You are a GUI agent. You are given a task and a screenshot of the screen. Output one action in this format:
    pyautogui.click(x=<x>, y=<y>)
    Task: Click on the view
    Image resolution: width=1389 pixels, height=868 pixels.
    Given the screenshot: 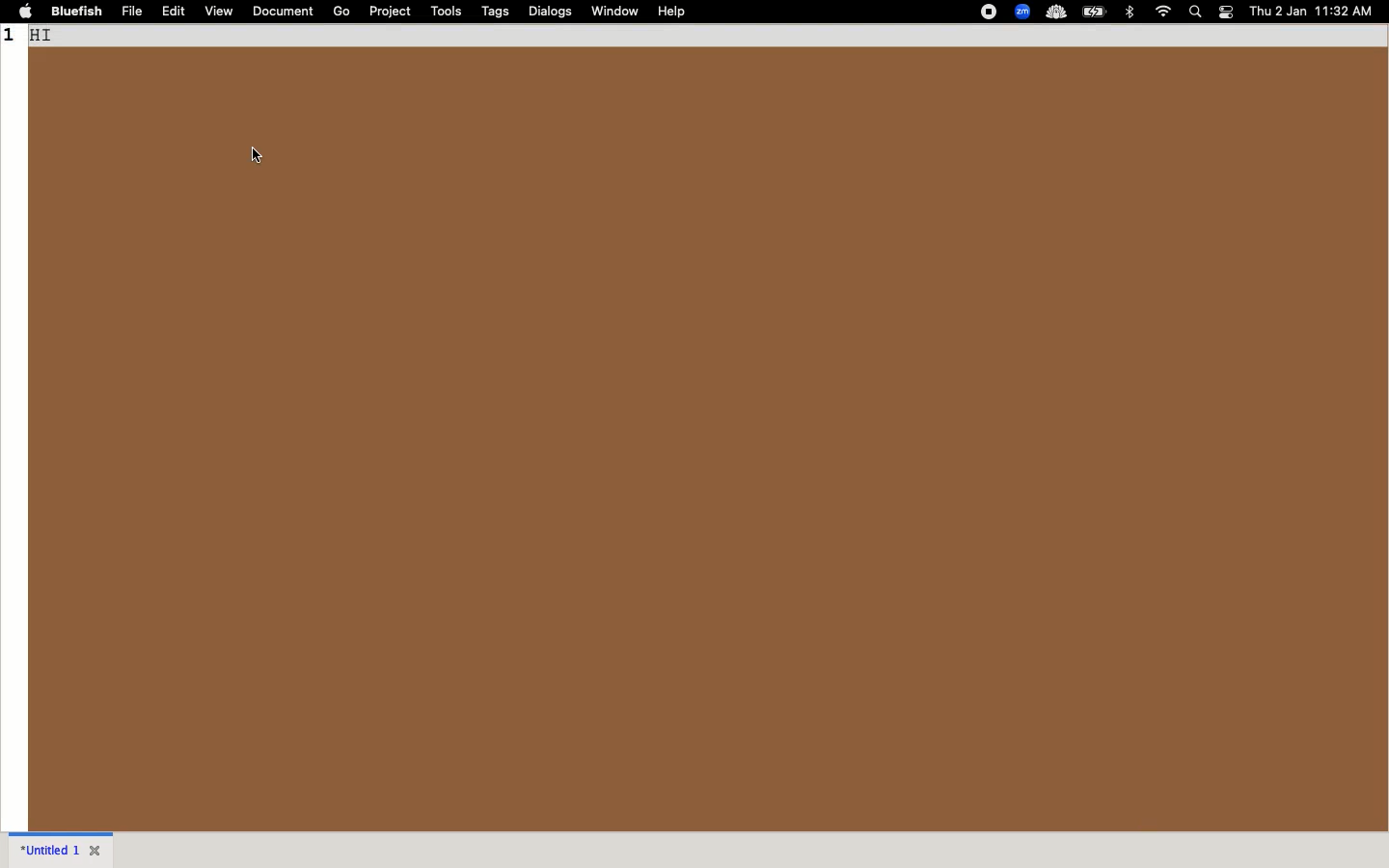 What is the action you would take?
    pyautogui.click(x=221, y=10)
    